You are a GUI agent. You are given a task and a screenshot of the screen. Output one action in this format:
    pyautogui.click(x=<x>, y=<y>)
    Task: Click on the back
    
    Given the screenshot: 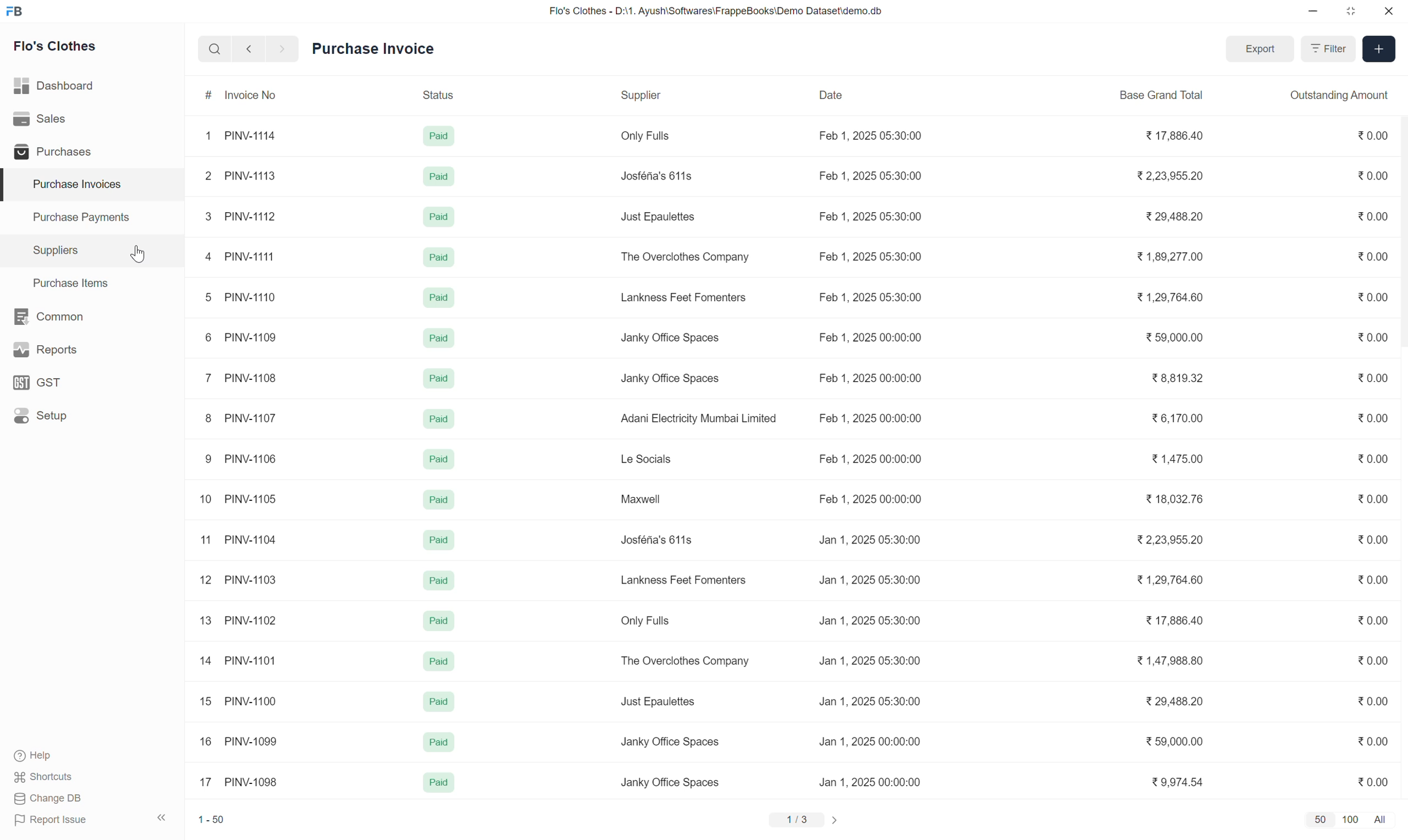 What is the action you would take?
    pyautogui.click(x=249, y=49)
    